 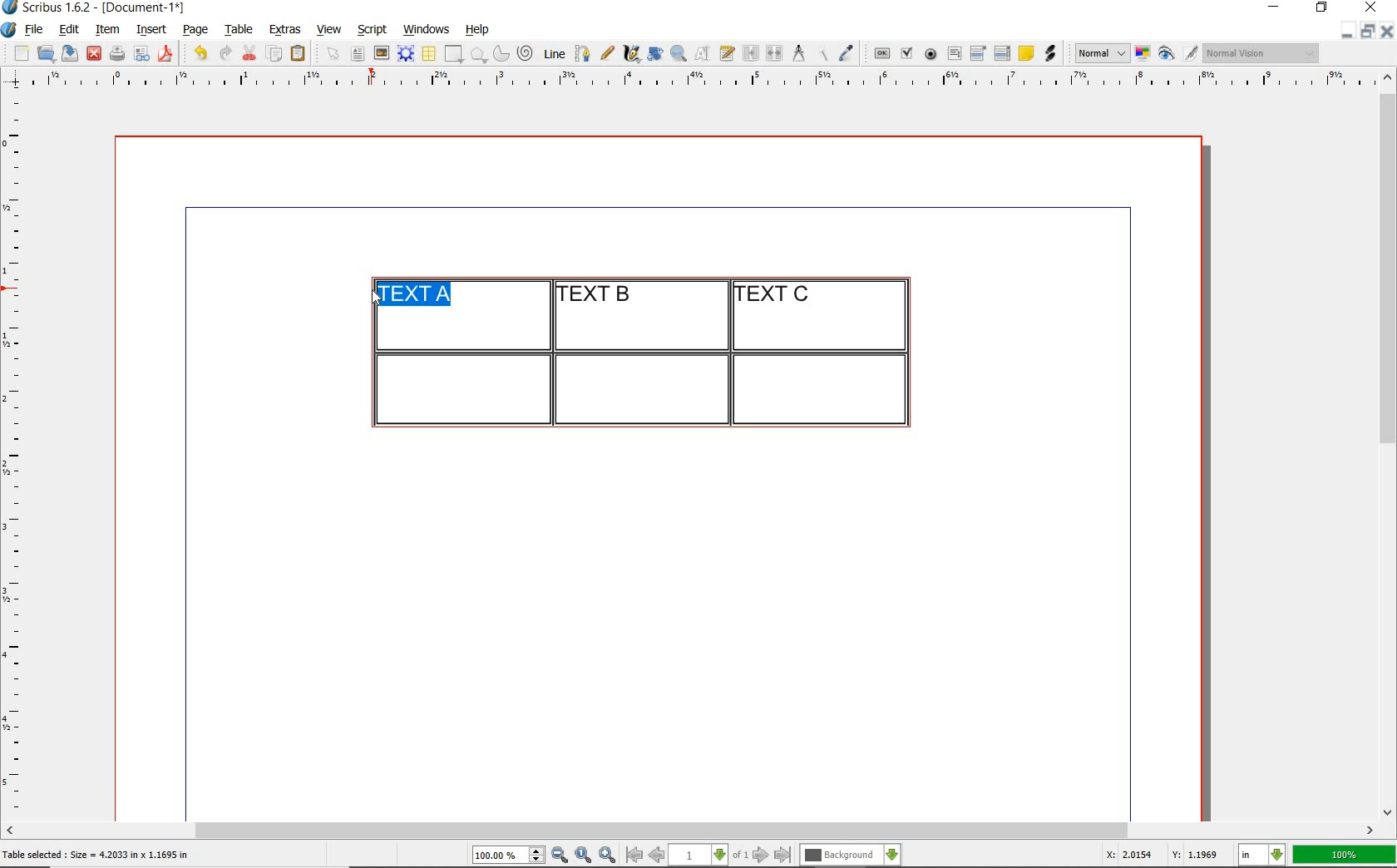 What do you see at coordinates (1262, 856) in the screenshot?
I see `select the current unit` at bounding box center [1262, 856].